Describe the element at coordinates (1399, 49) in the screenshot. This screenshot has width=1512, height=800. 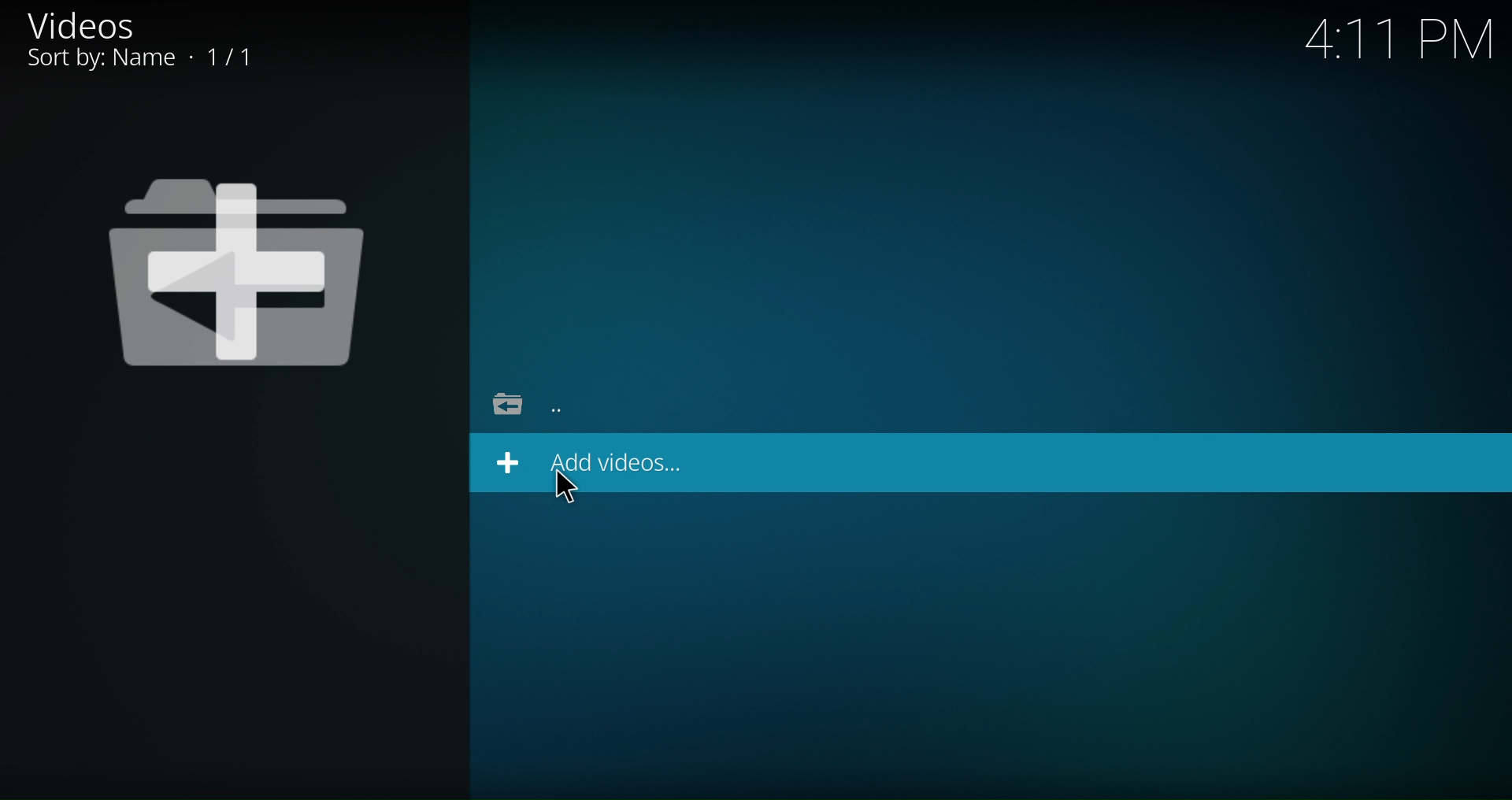
I see `4:11 PM` at that location.